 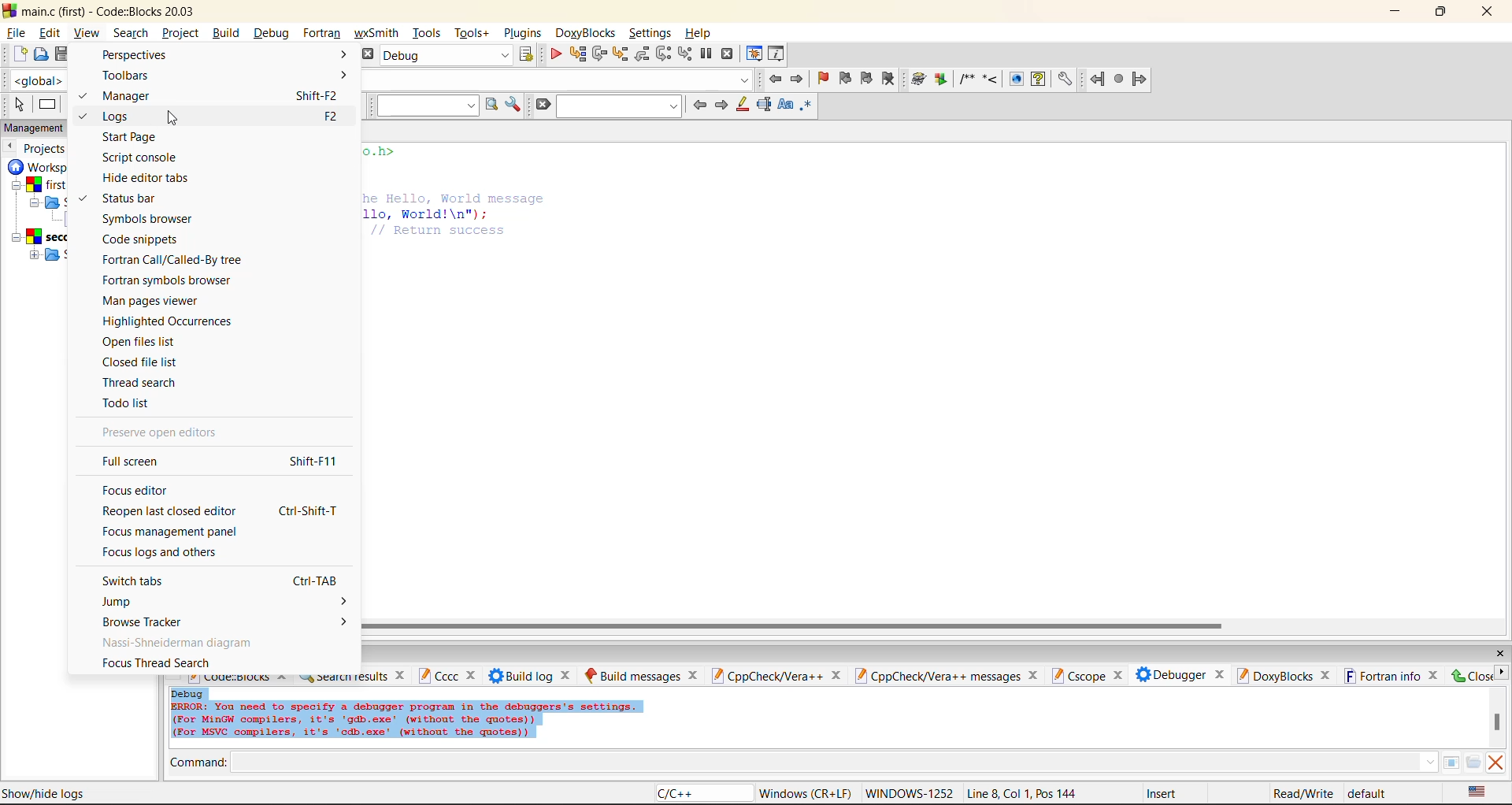 What do you see at coordinates (224, 76) in the screenshot?
I see `toolbars` at bounding box center [224, 76].